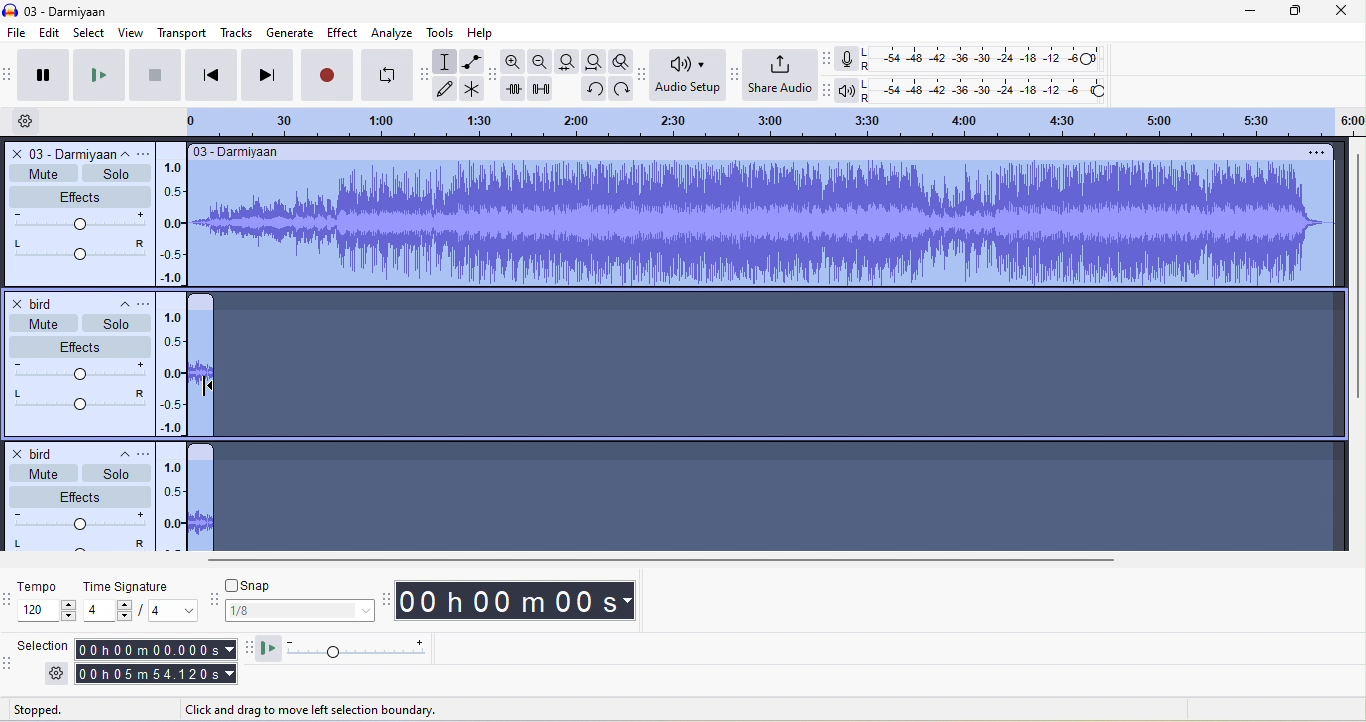 The width and height of the screenshot is (1366, 722). Describe the element at coordinates (88, 32) in the screenshot. I see `select` at that location.